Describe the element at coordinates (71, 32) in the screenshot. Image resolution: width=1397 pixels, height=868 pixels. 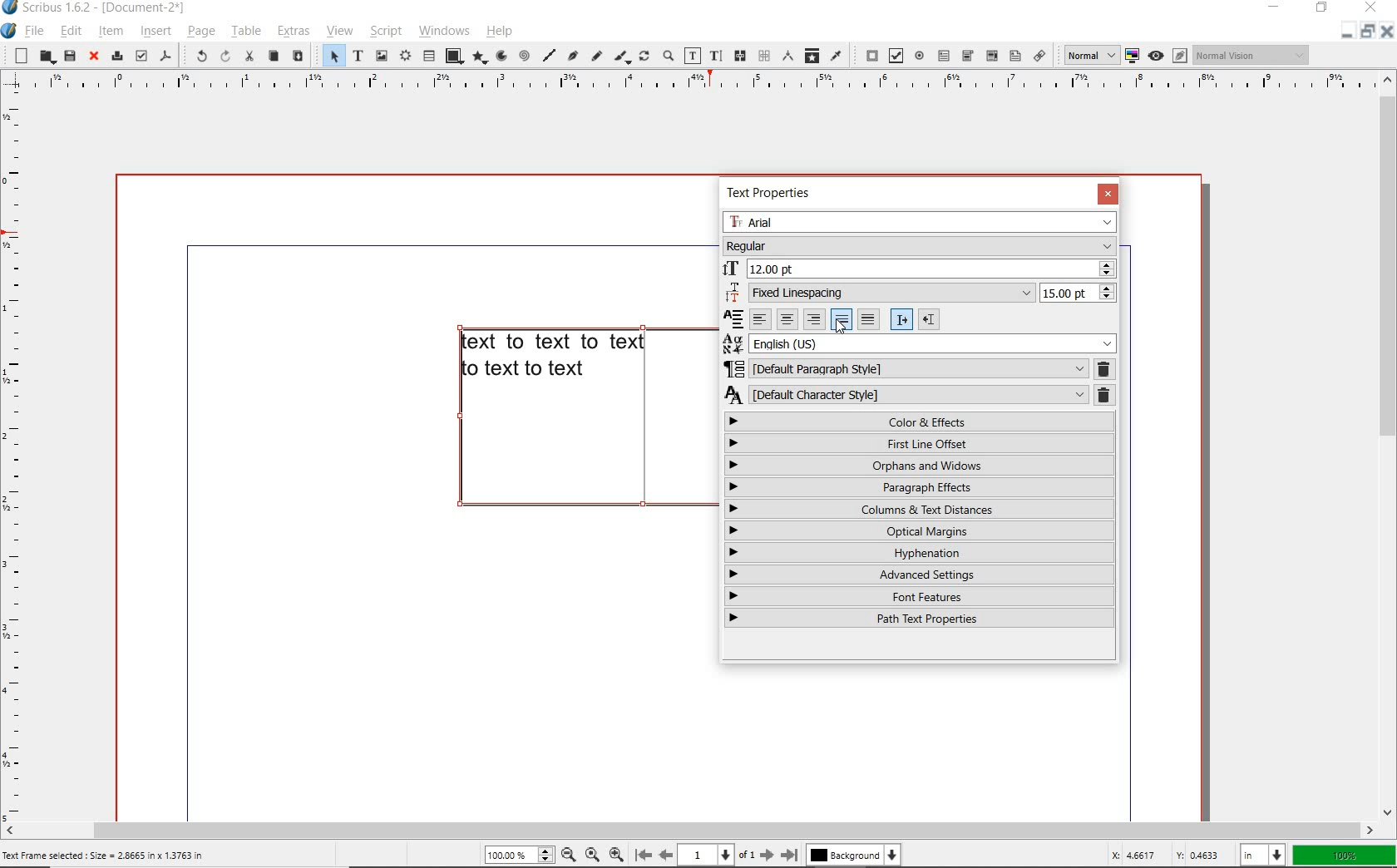
I see `edit` at that location.